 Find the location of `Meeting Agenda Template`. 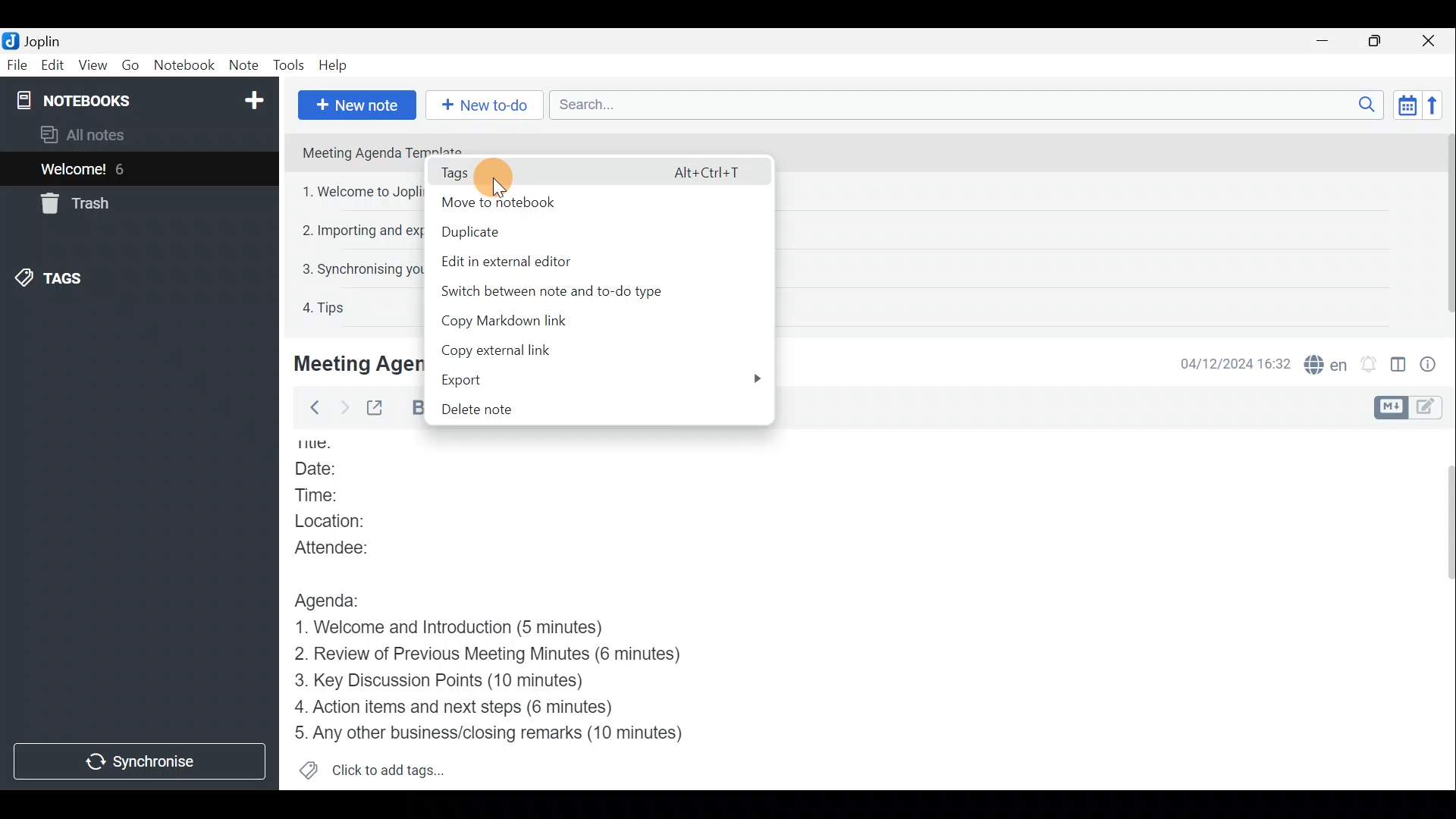

Meeting Agenda Template is located at coordinates (384, 150).